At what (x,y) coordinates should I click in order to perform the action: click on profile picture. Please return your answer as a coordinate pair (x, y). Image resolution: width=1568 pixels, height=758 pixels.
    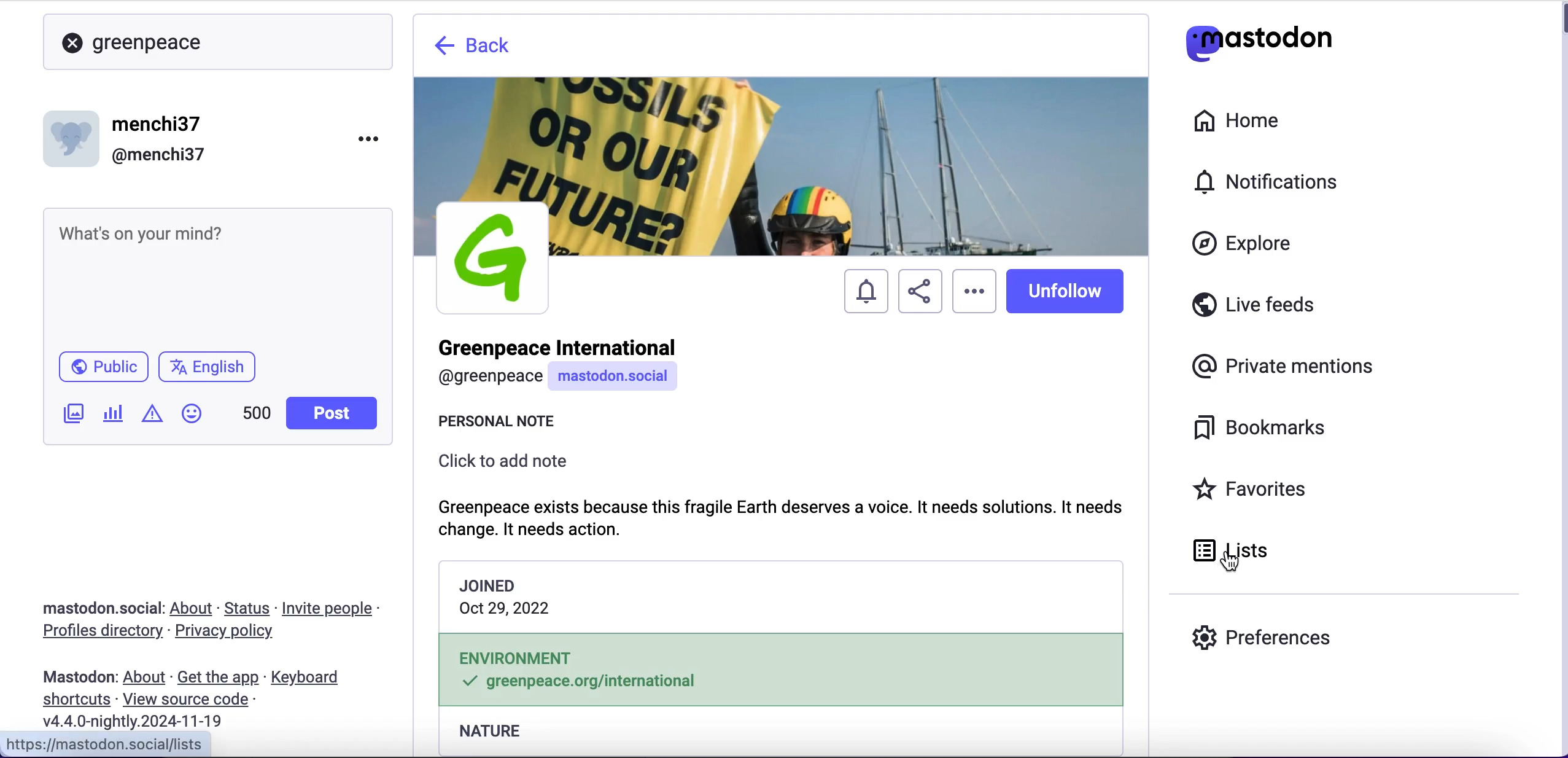
    Looking at the image, I should click on (492, 257).